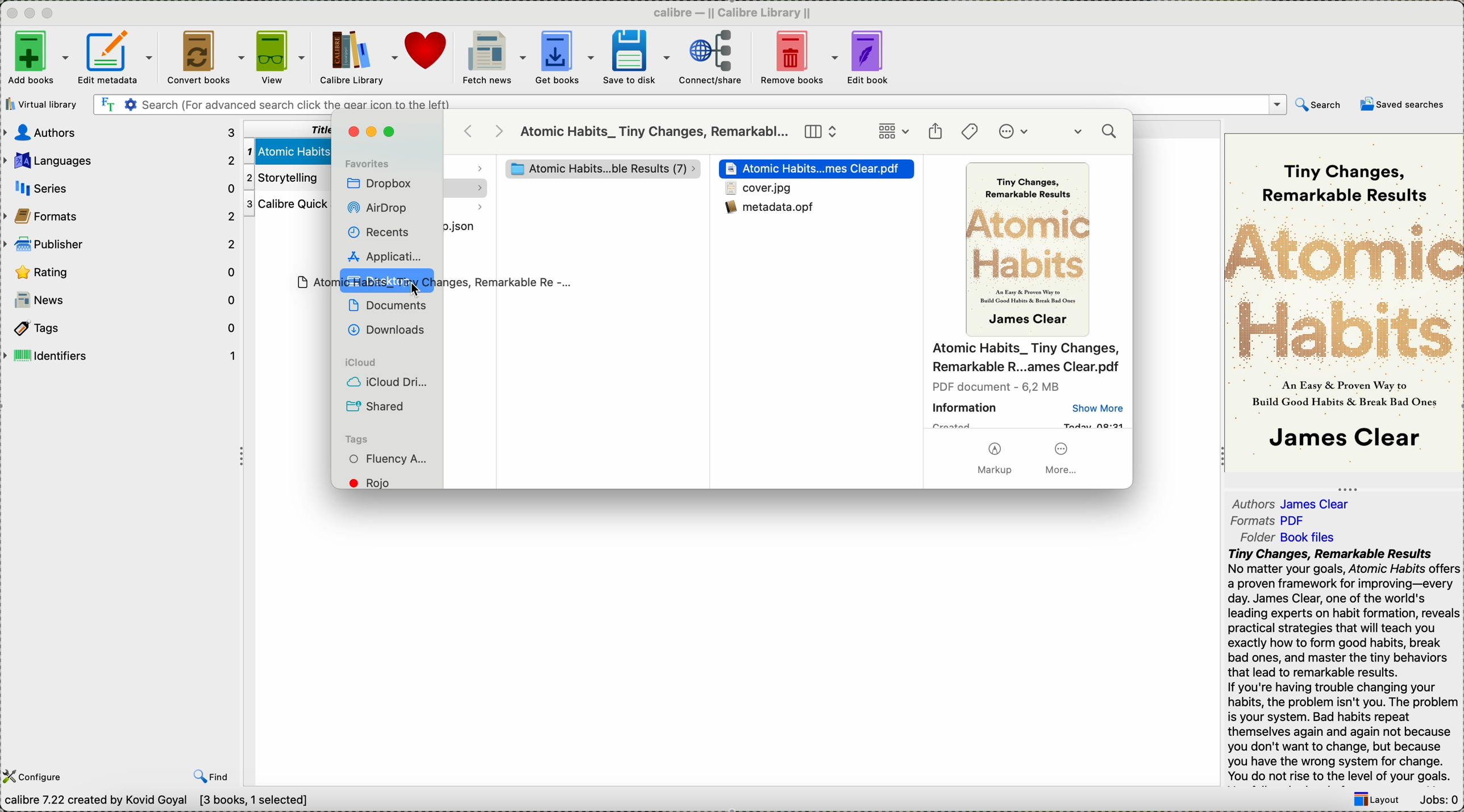  I want to click on folder, so click(1295, 536).